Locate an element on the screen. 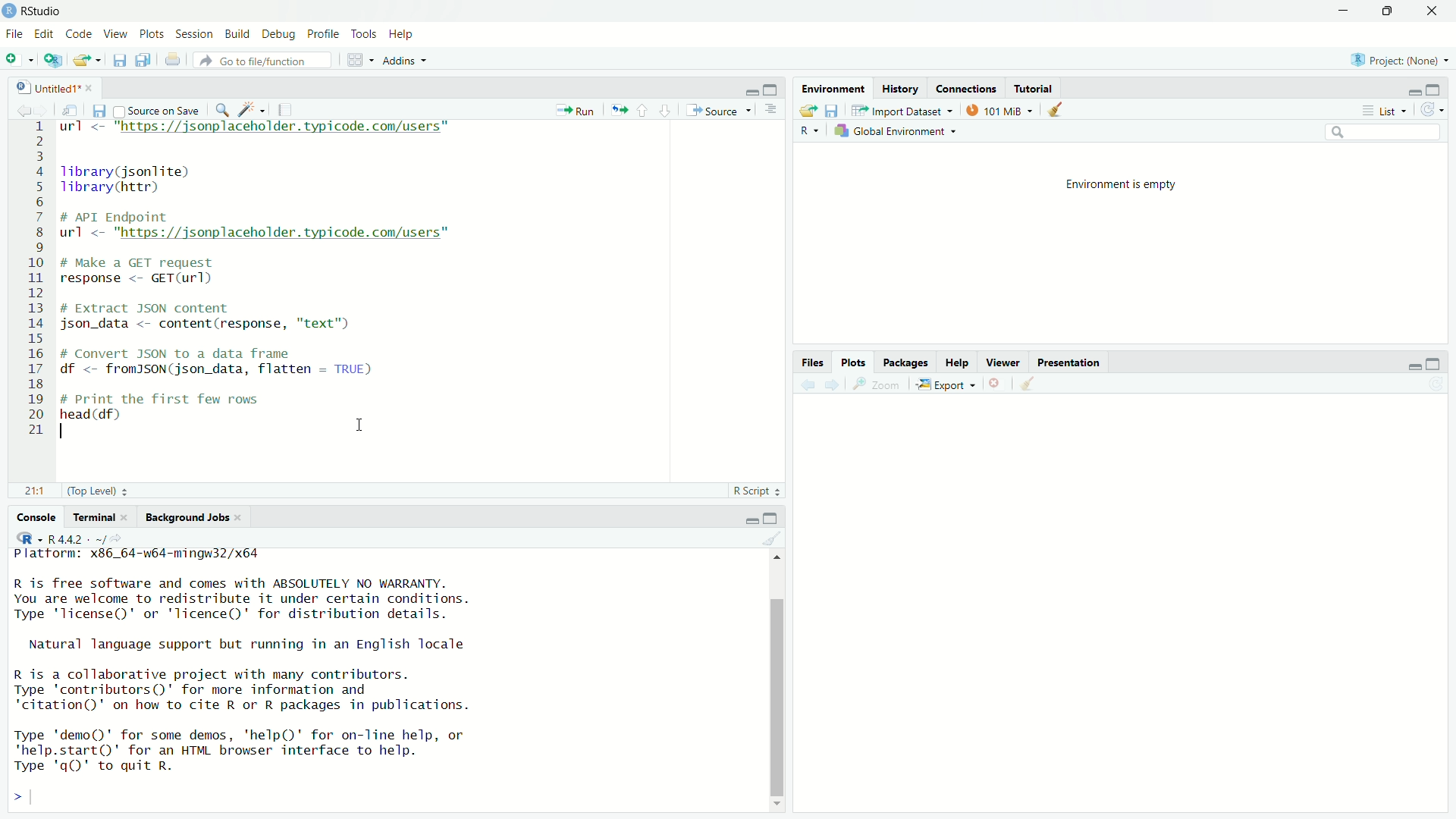 This screenshot has width=1456, height=819. Save all open documents is located at coordinates (143, 60).